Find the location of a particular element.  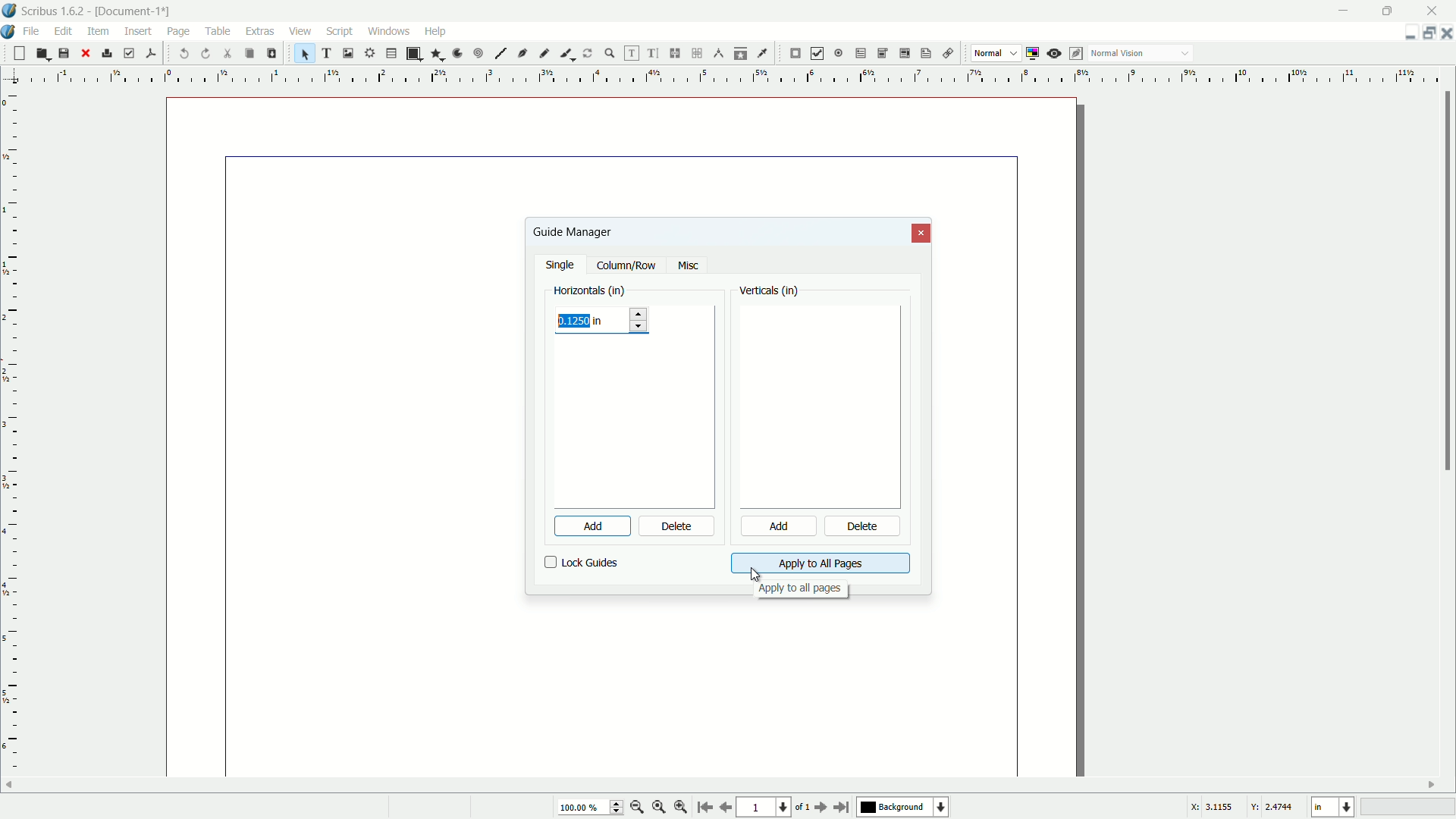

zoom in is located at coordinates (681, 808).